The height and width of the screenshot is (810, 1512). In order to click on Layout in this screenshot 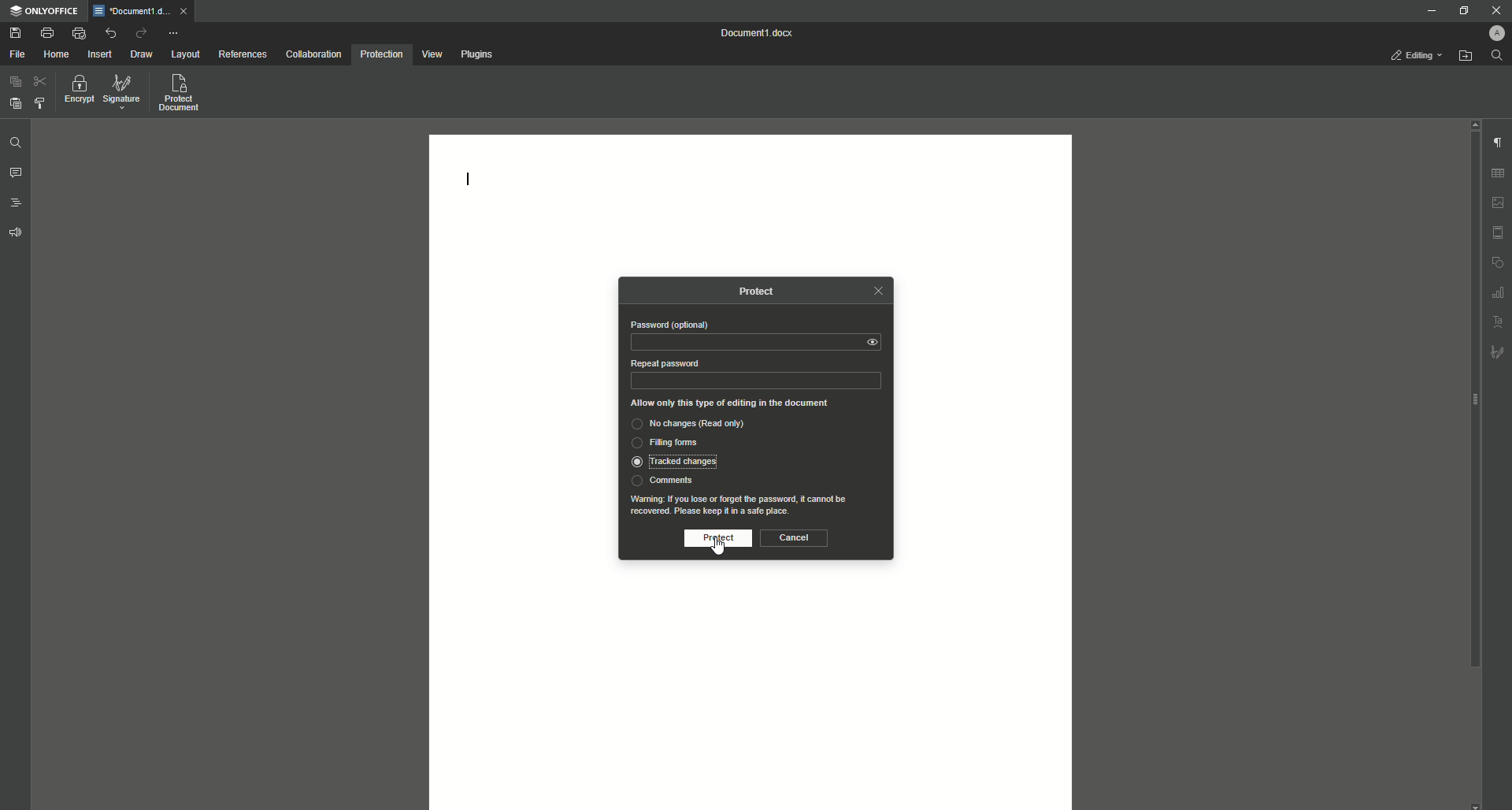, I will do `click(183, 54)`.